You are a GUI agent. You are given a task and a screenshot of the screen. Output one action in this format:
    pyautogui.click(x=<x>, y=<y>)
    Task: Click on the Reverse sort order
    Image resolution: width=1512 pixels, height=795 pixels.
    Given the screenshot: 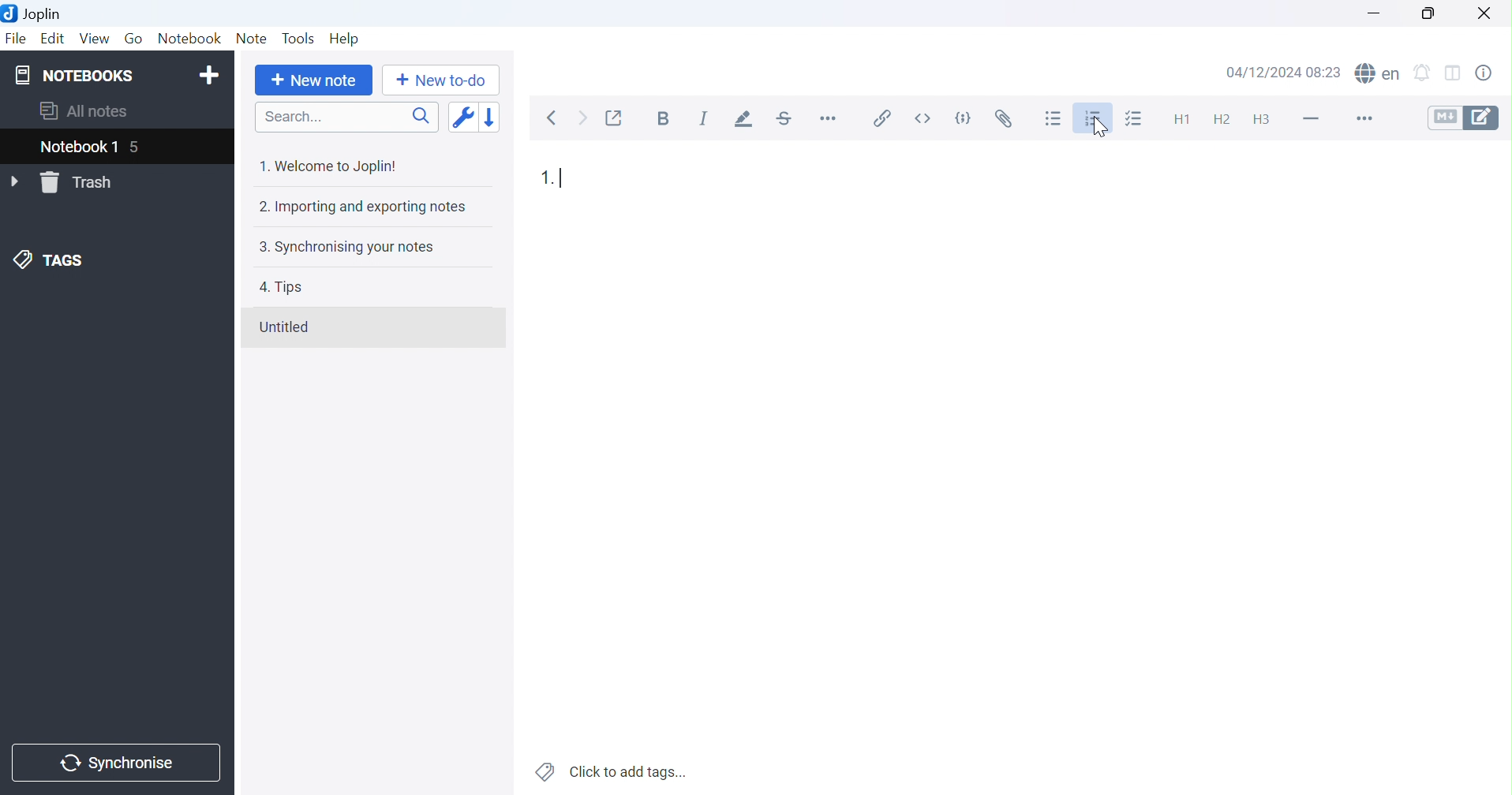 What is the action you would take?
    pyautogui.click(x=489, y=118)
    